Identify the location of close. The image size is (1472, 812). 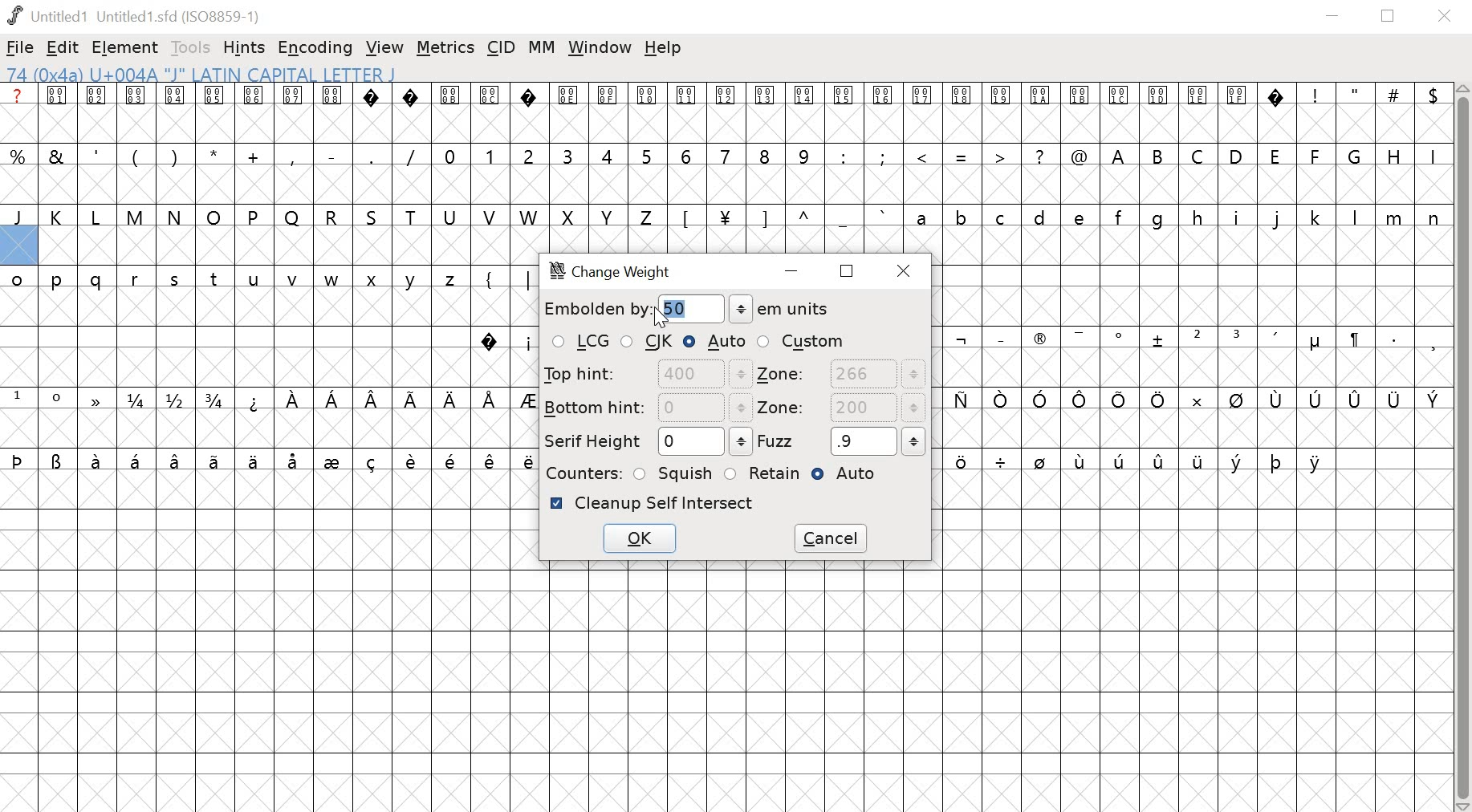
(907, 270).